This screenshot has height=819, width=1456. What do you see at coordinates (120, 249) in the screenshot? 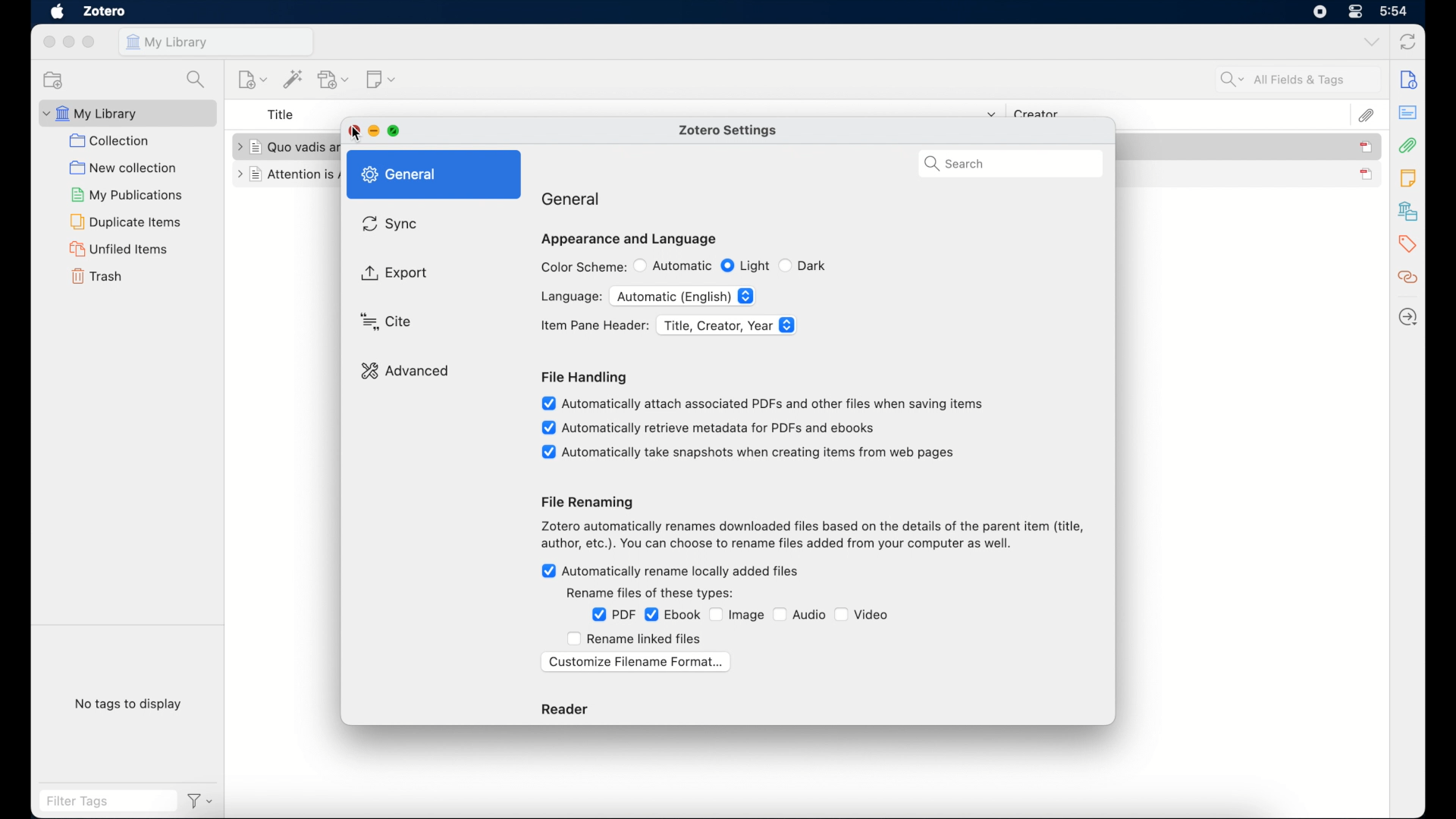
I see `unified items` at bounding box center [120, 249].